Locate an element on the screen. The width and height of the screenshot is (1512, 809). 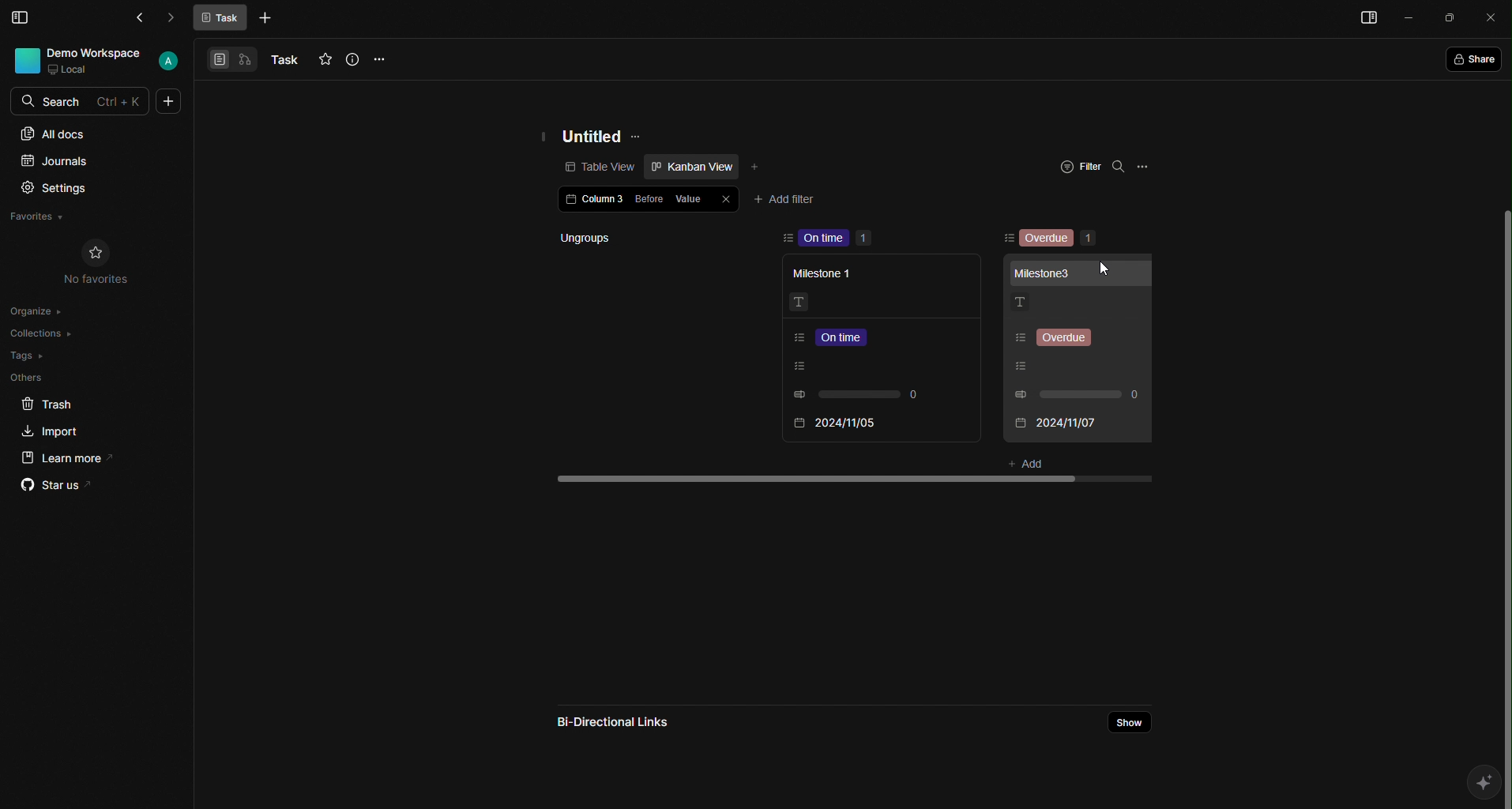
Settings is located at coordinates (54, 188).